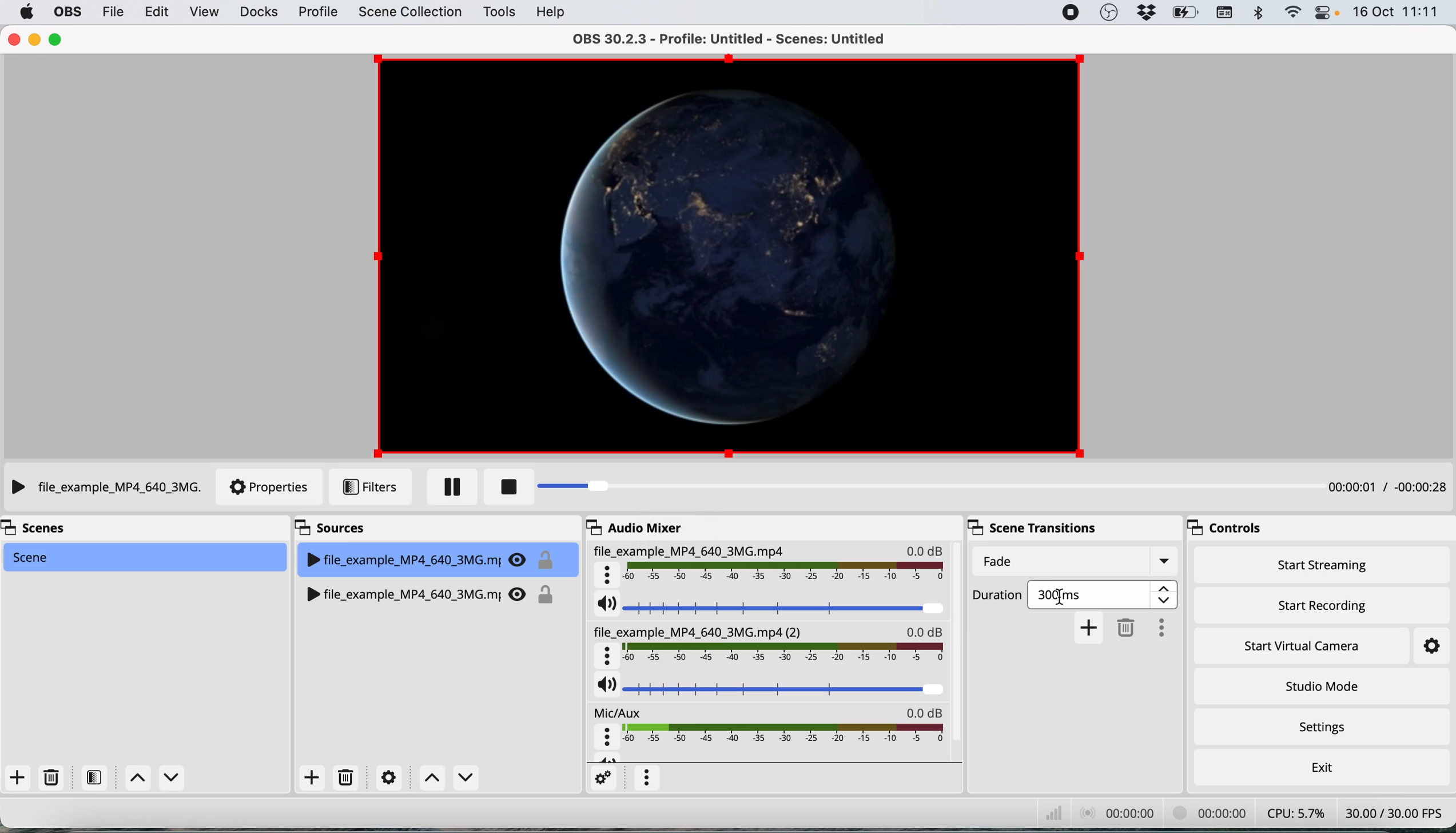  Describe the element at coordinates (552, 14) in the screenshot. I see `help` at that location.